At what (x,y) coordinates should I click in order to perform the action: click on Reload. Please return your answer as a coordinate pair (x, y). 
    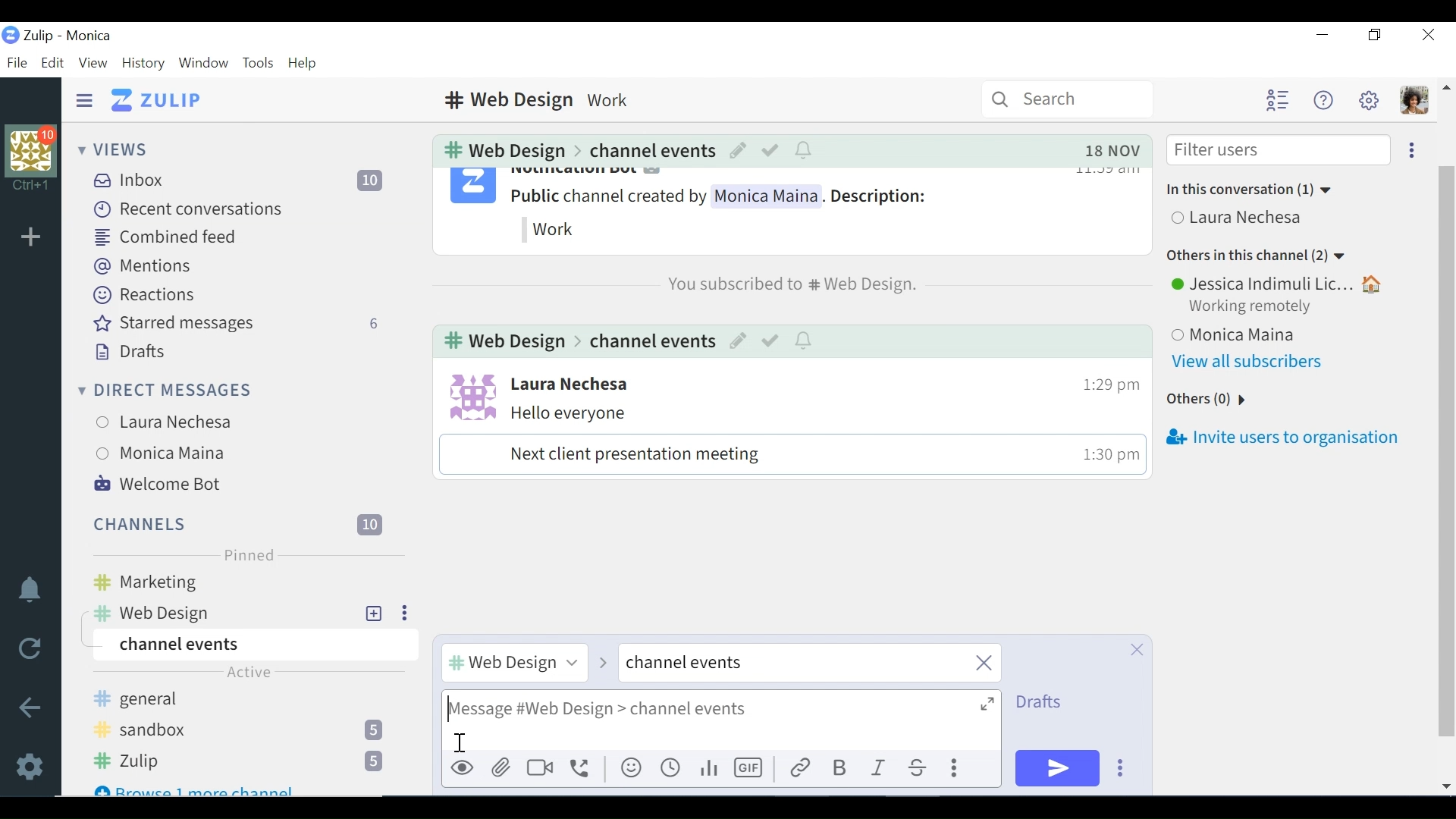
    Looking at the image, I should click on (29, 648).